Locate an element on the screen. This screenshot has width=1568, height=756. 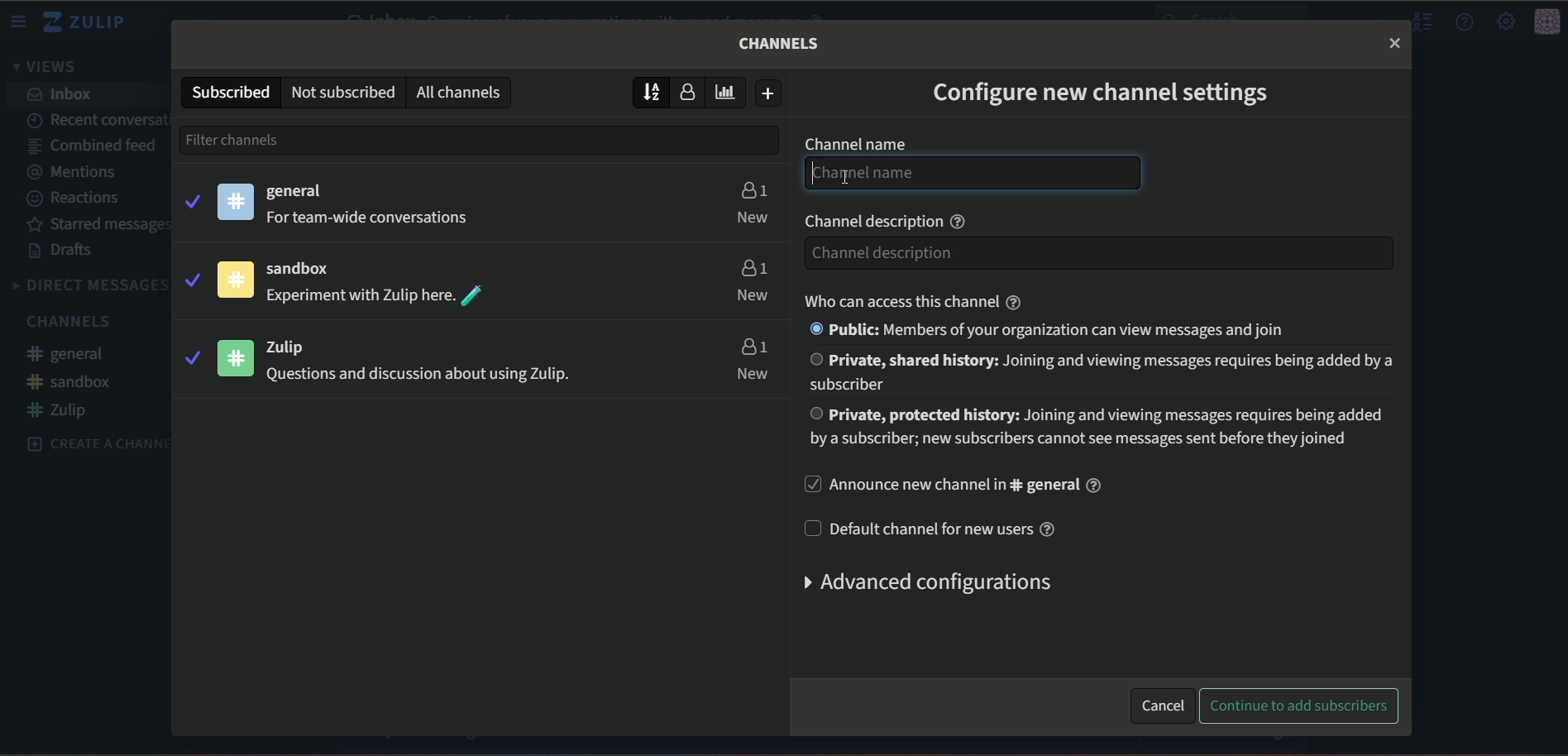
#sandbox is located at coordinates (70, 381).